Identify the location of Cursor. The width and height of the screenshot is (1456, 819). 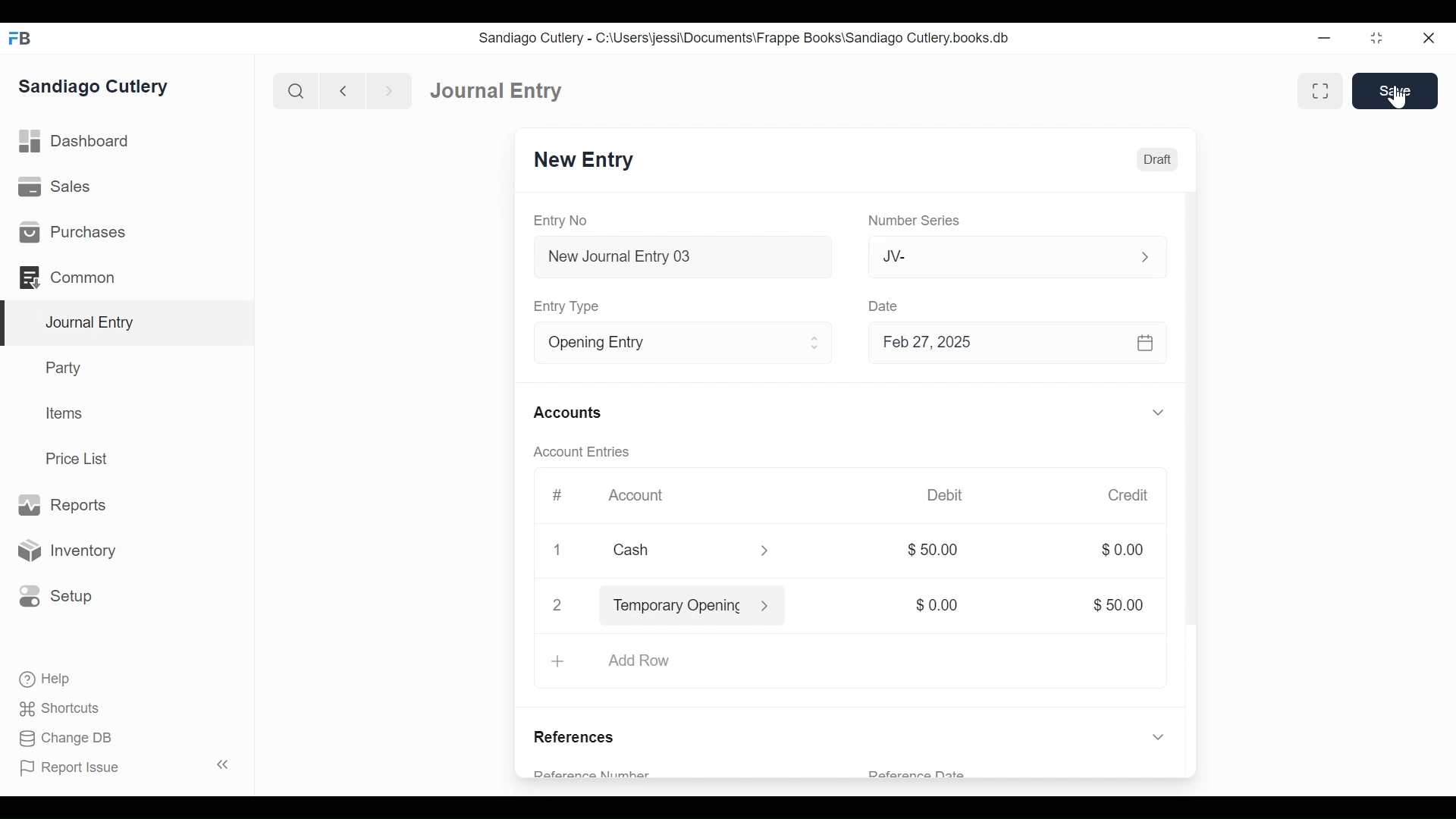
(1398, 96).